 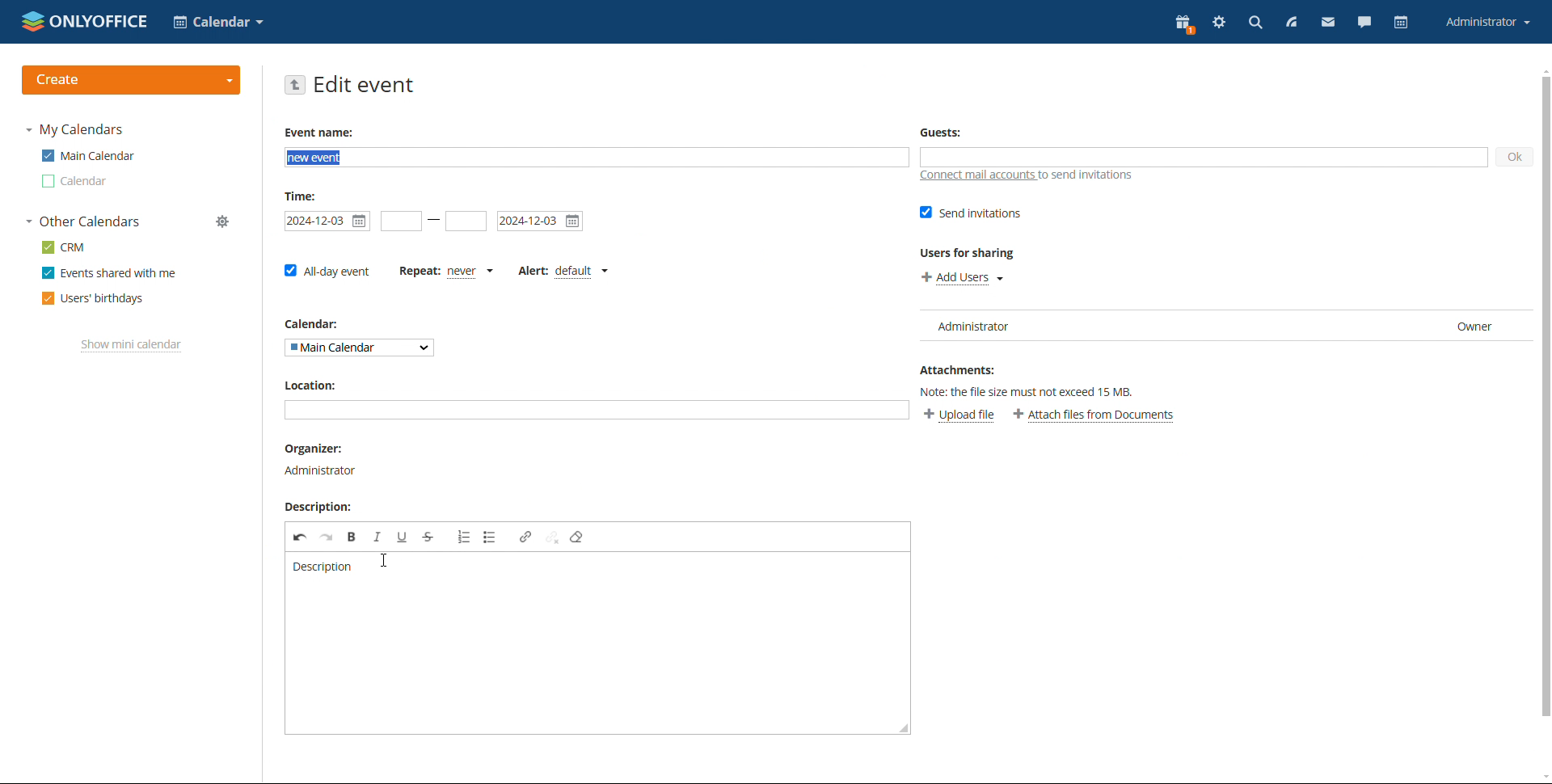 What do you see at coordinates (464, 537) in the screenshot?
I see `insert/remove numbered list` at bounding box center [464, 537].